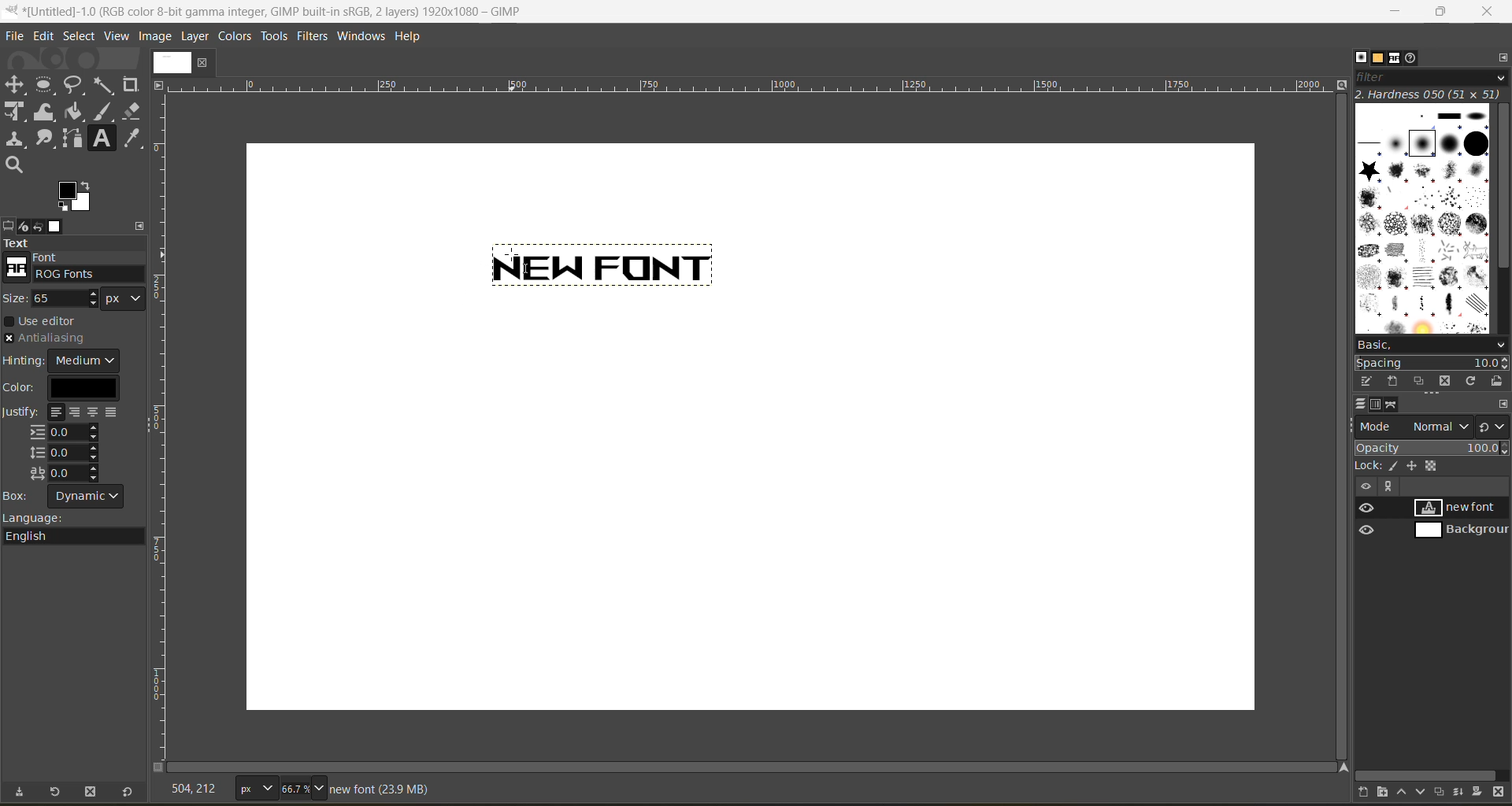  Describe the element at coordinates (79, 298) in the screenshot. I see `size` at that location.